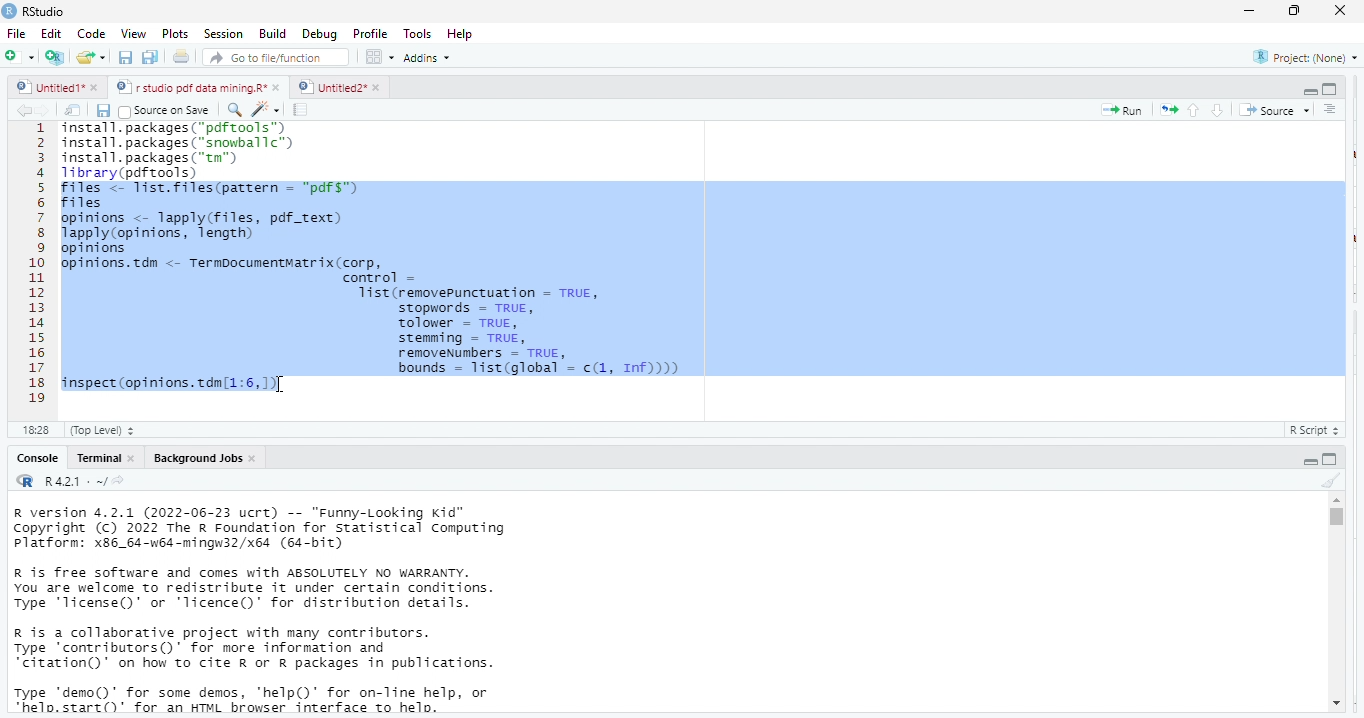 The height and width of the screenshot is (718, 1364). I want to click on tools, so click(420, 32).